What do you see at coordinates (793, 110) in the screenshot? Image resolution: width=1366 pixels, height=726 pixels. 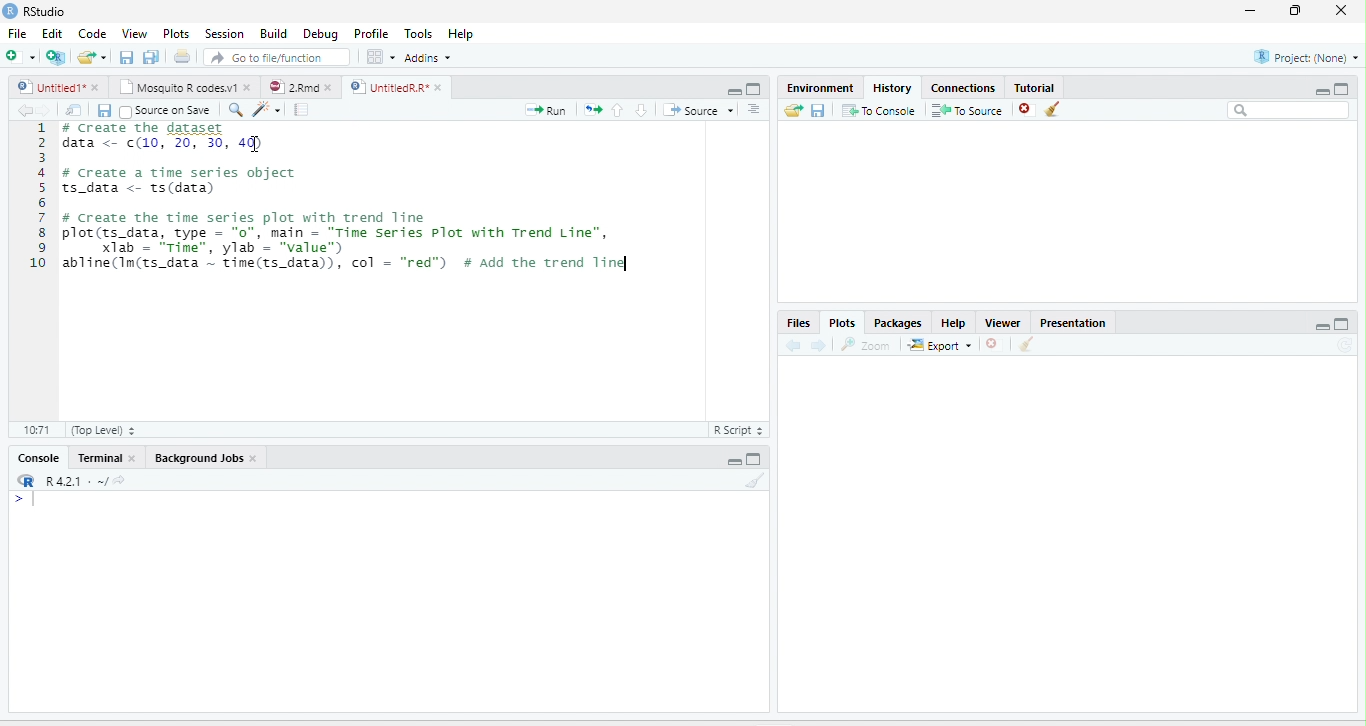 I see `Load history from an existing file` at bounding box center [793, 110].